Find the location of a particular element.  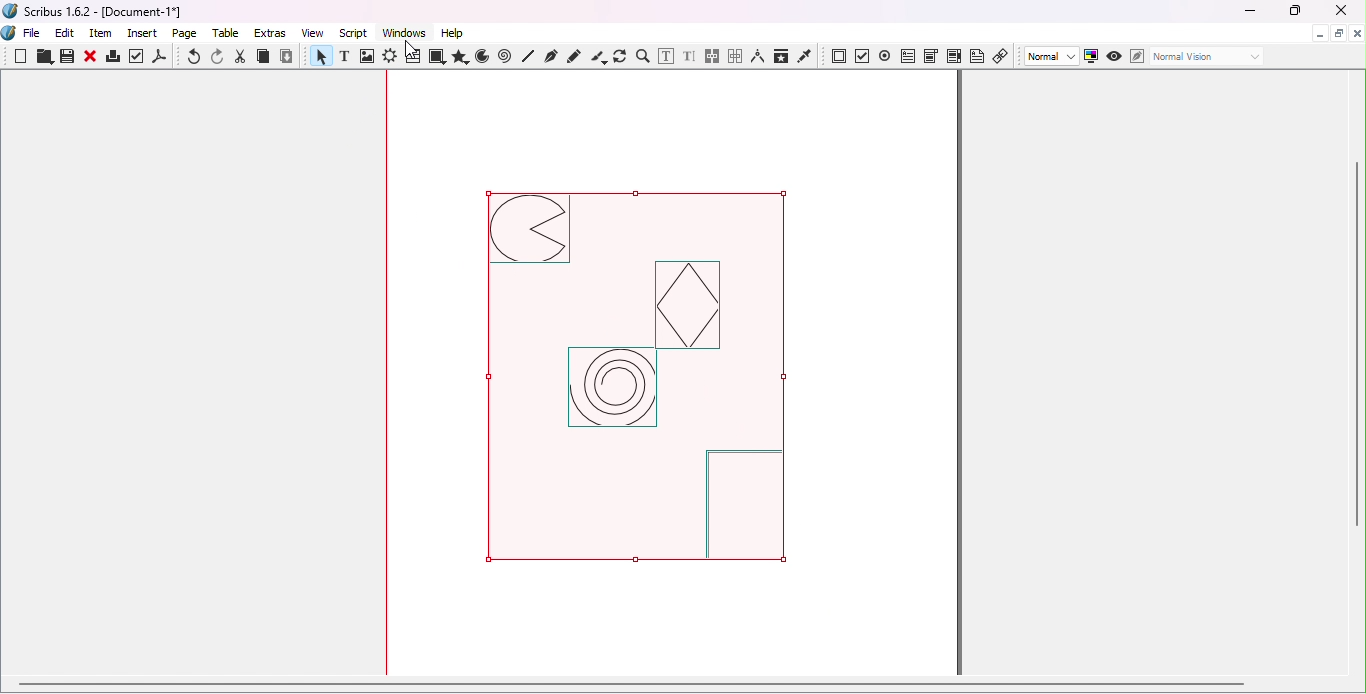

Edit in Preview mode is located at coordinates (1136, 55).